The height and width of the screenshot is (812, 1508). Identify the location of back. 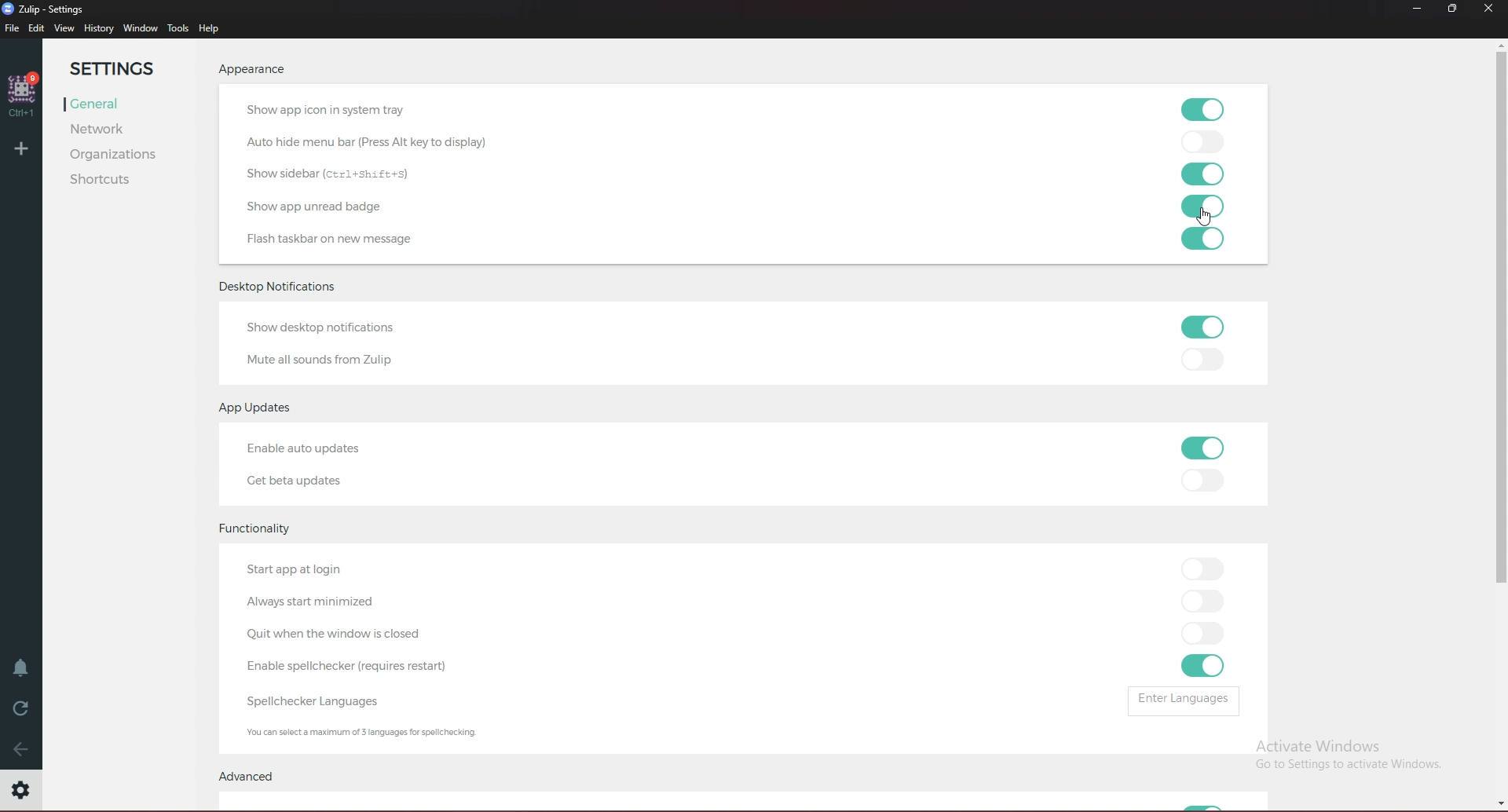
(20, 752).